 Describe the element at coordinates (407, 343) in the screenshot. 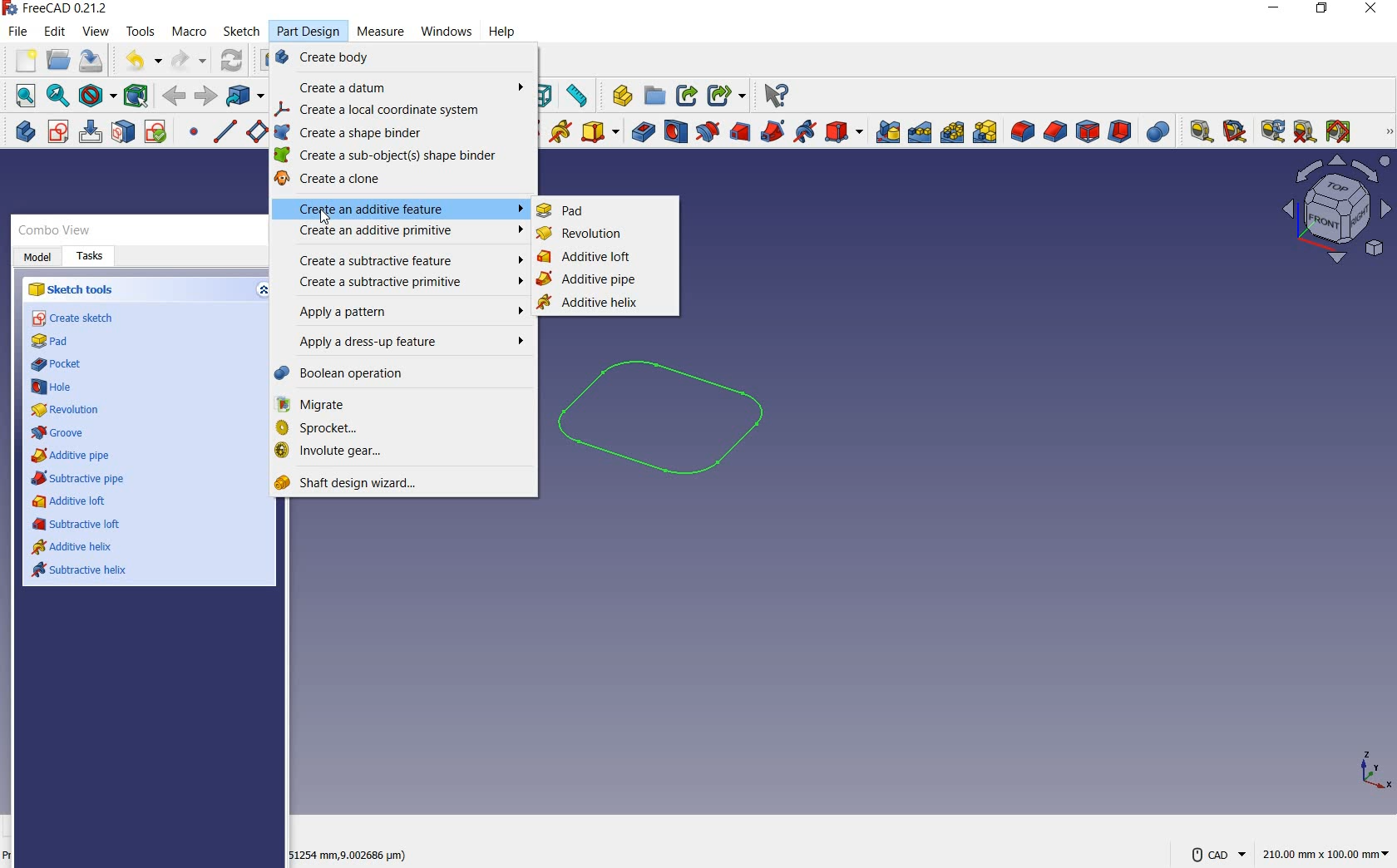

I see `apply a dress-up-feature` at that location.